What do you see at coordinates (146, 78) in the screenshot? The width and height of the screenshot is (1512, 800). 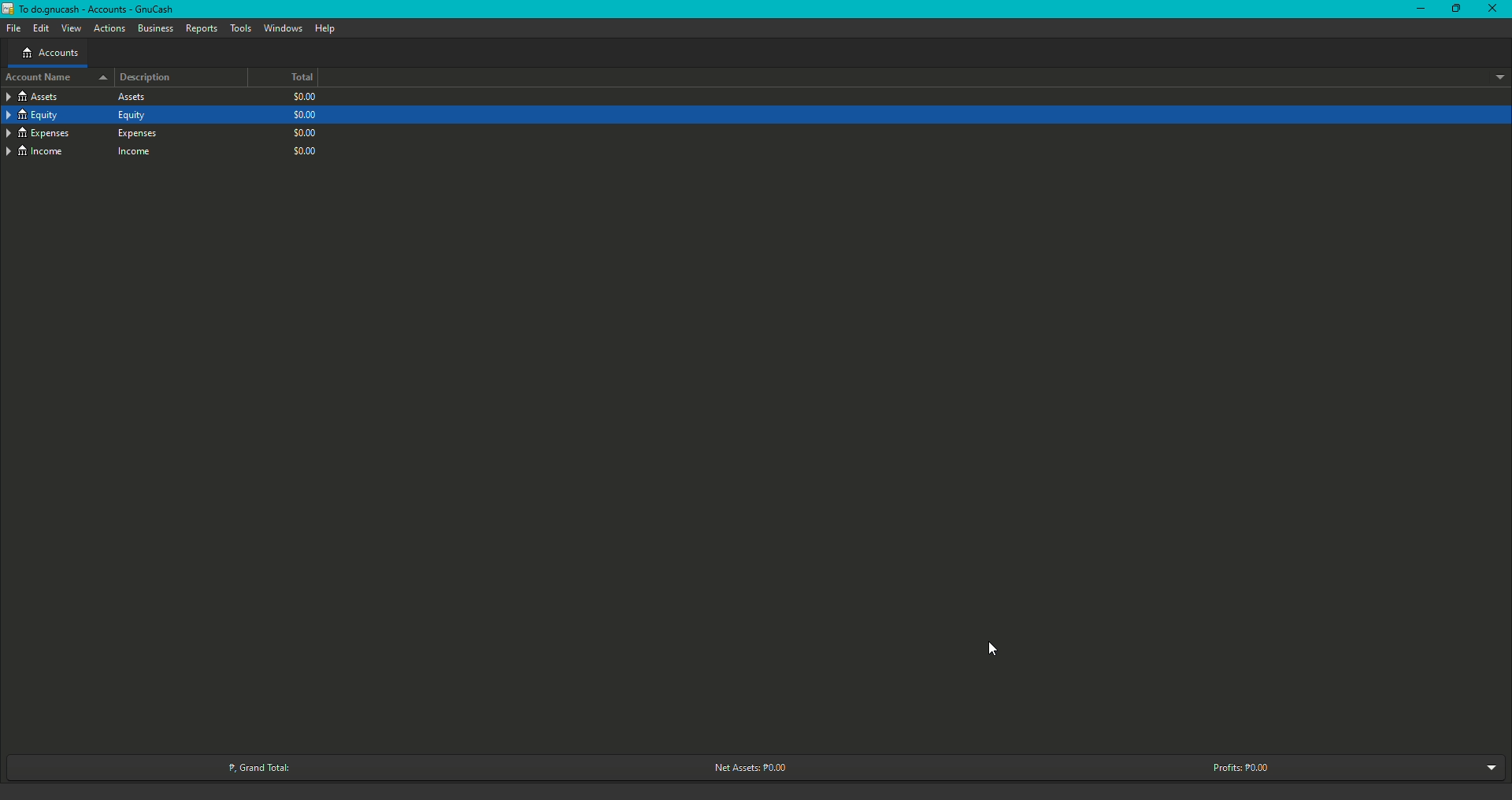 I see `Description` at bounding box center [146, 78].